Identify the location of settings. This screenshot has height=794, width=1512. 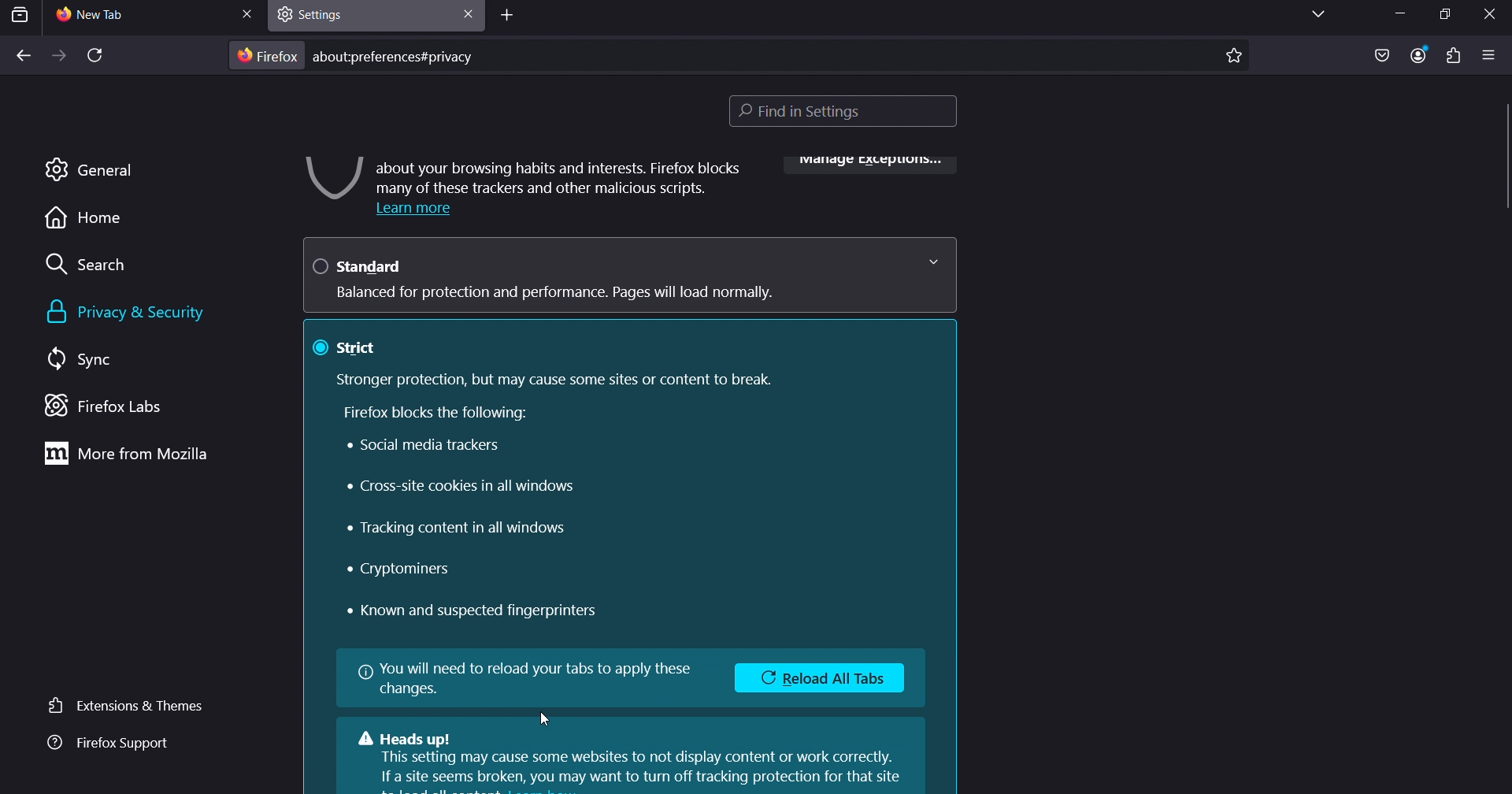
(322, 13).